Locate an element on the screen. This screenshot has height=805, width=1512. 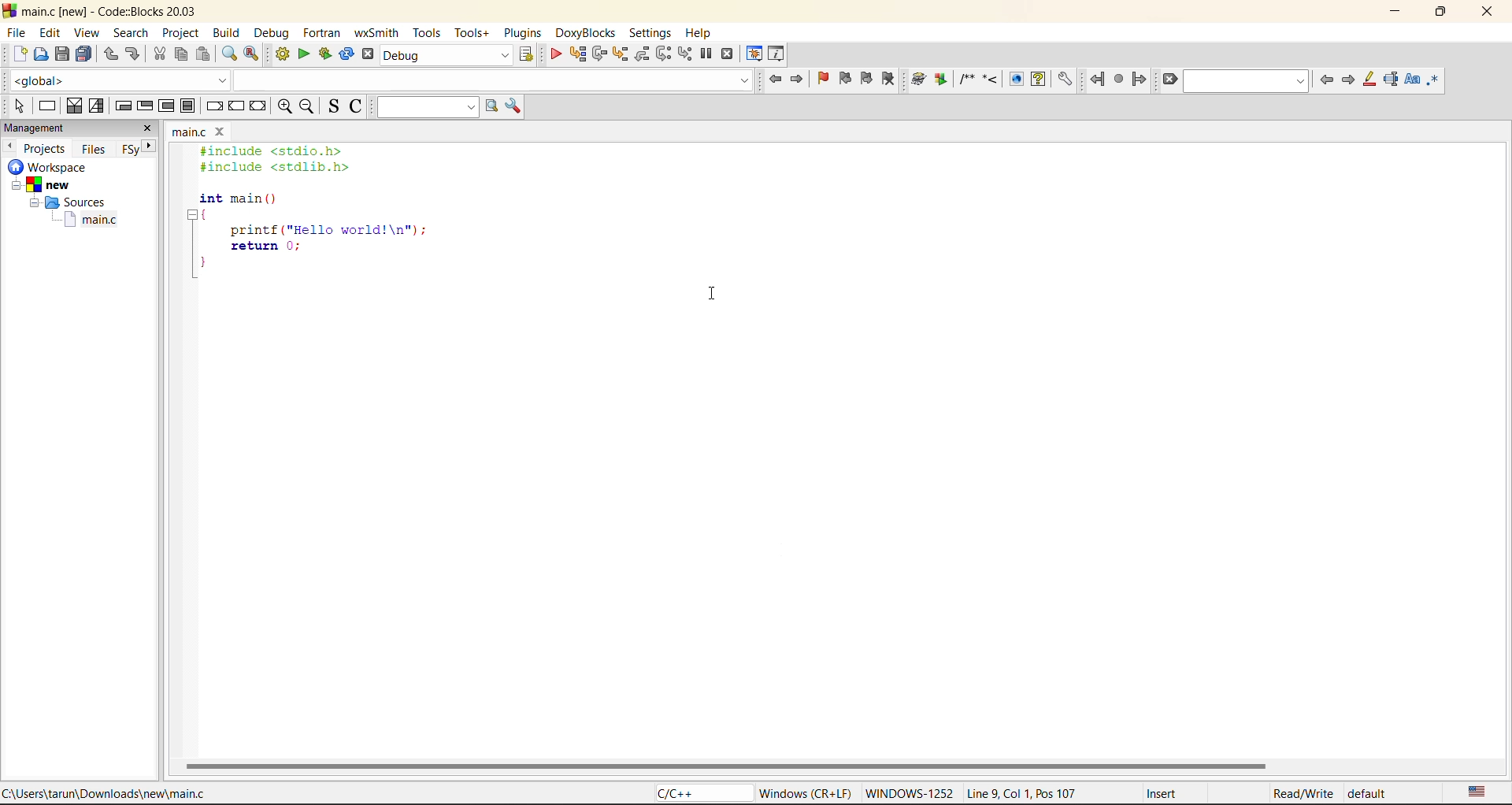
files is located at coordinates (94, 150).